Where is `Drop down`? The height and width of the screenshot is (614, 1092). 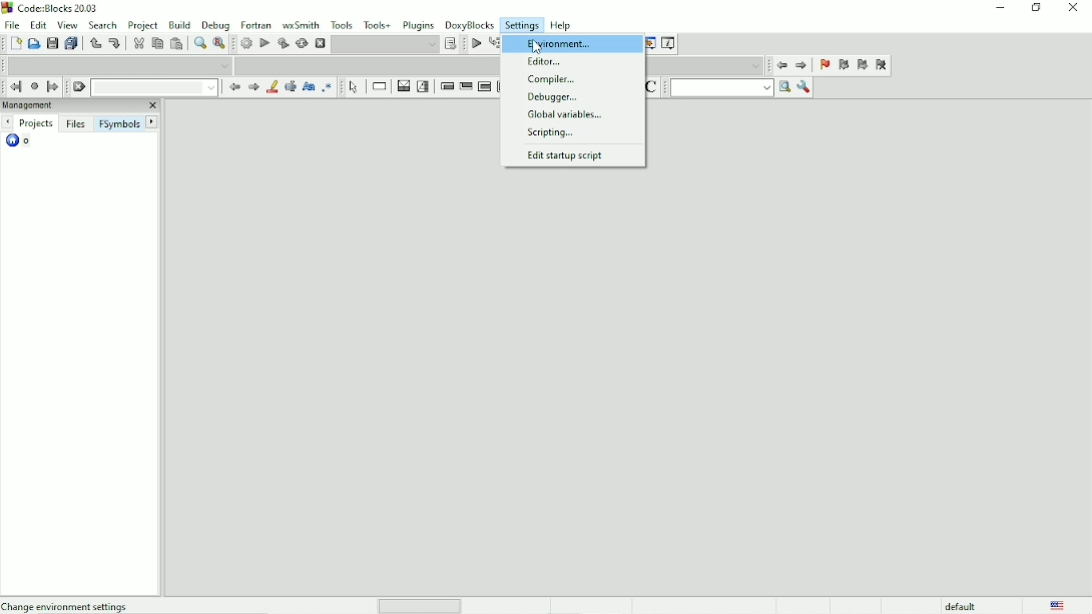
Drop down is located at coordinates (119, 66).